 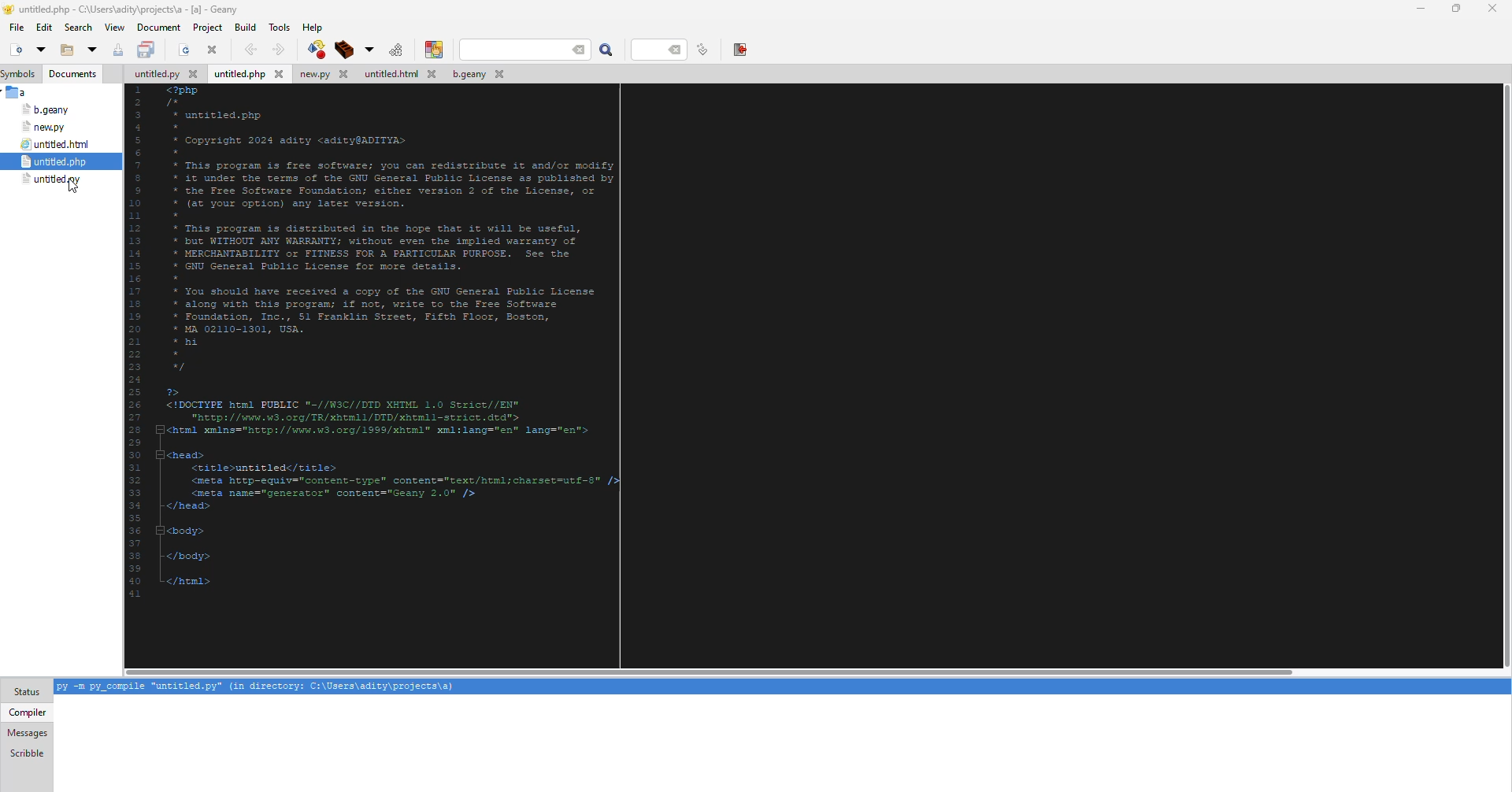 What do you see at coordinates (447, 359) in the screenshot?
I see `code` at bounding box center [447, 359].